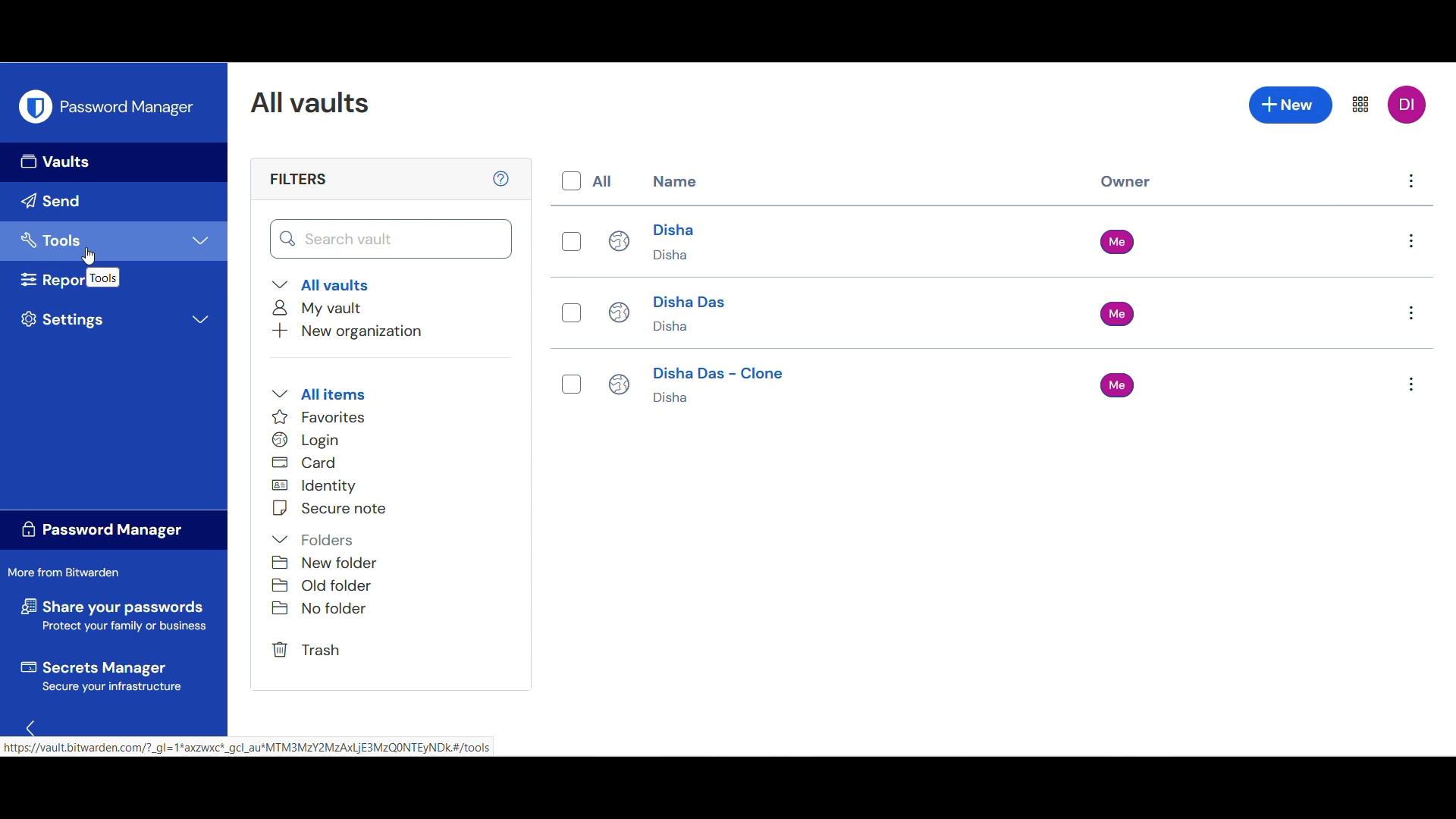 This screenshot has width=1456, height=819. What do you see at coordinates (70, 573) in the screenshot?
I see `Section title - More from Bitwarden` at bounding box center [70, 573].